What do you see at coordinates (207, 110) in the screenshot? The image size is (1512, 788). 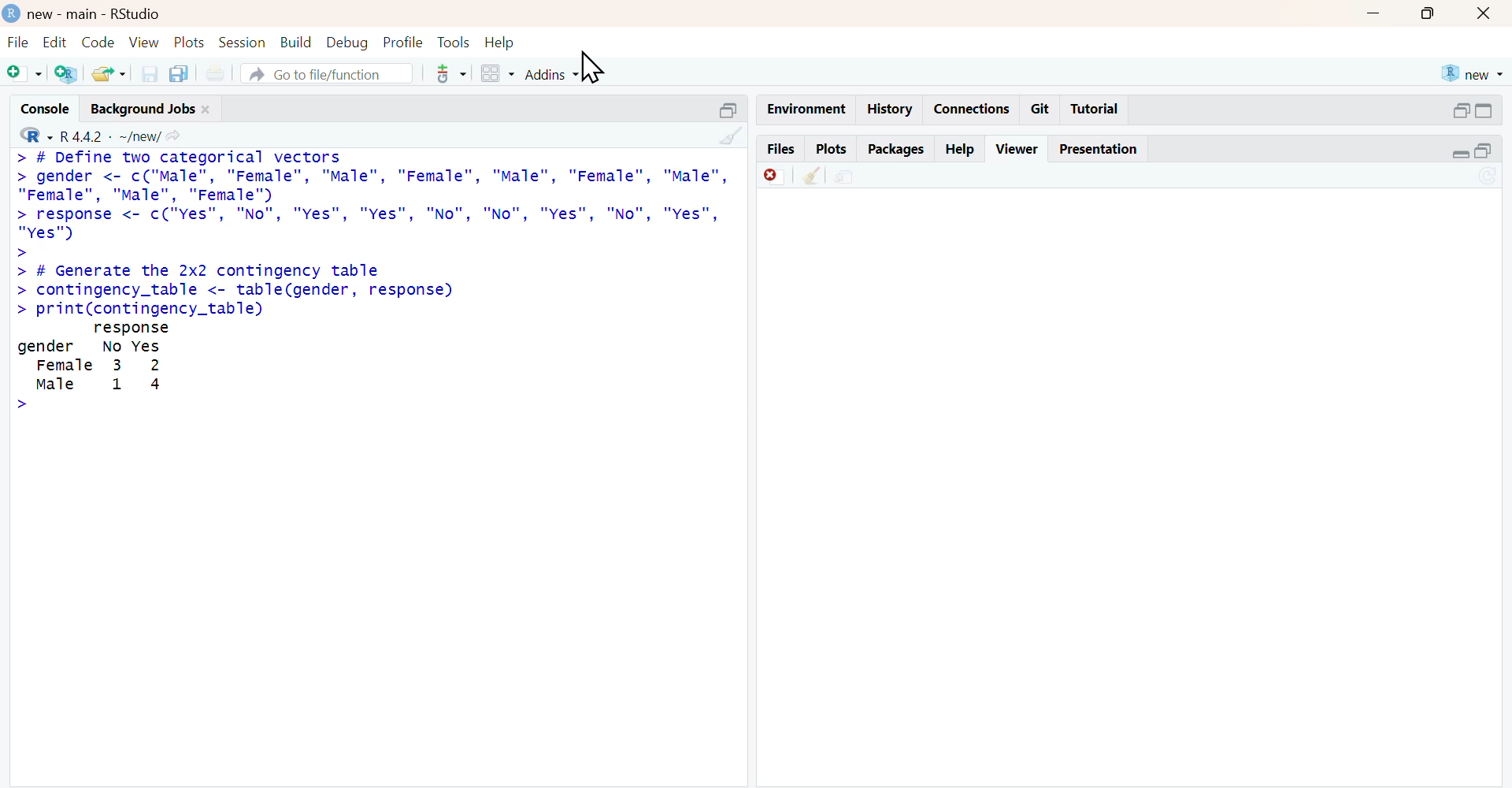 I see `close` at bounding box center [207, 110].